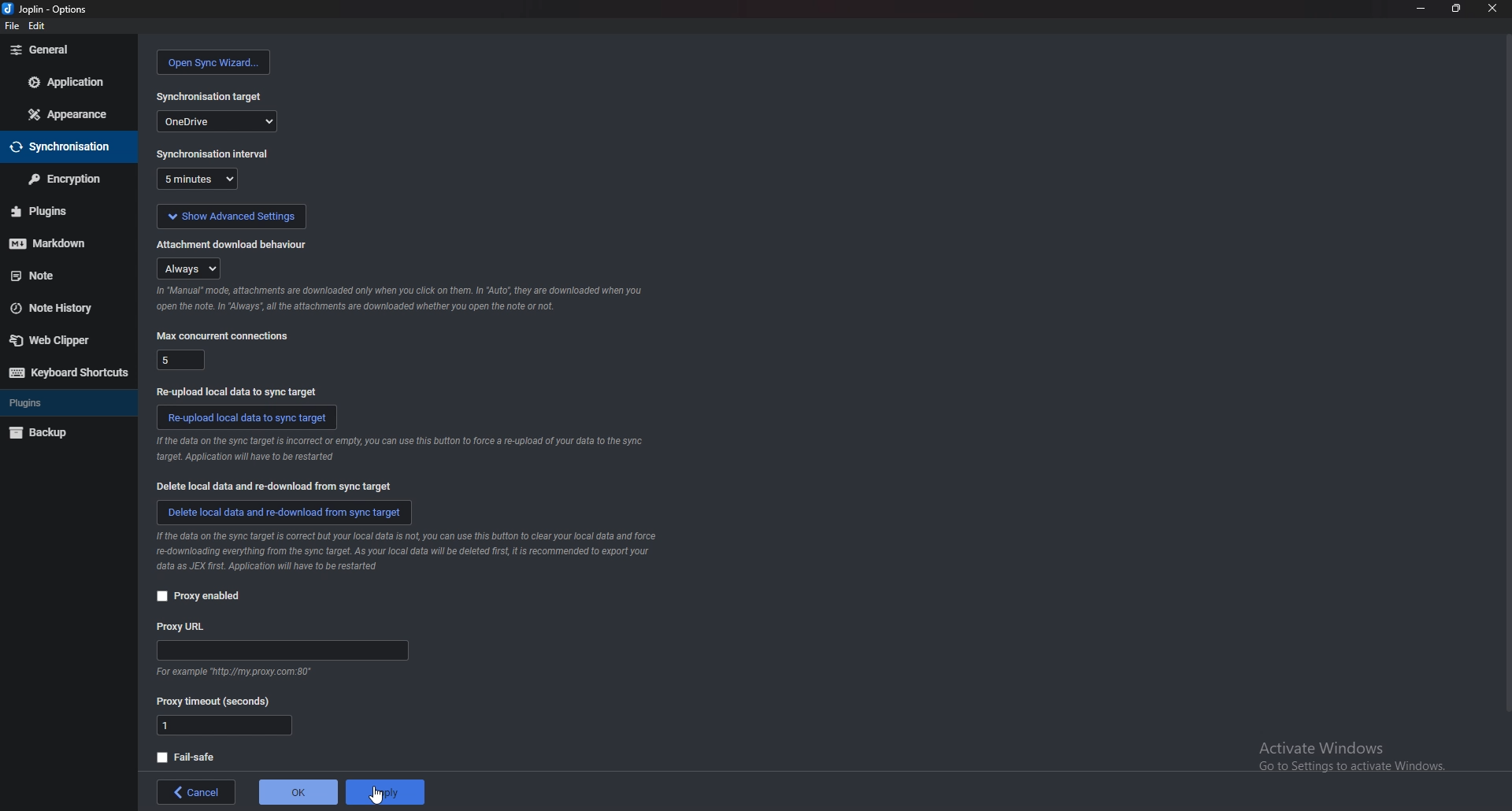 The image size is (1512, 811). I want to click on Activate Windows, so click(1350, 757).